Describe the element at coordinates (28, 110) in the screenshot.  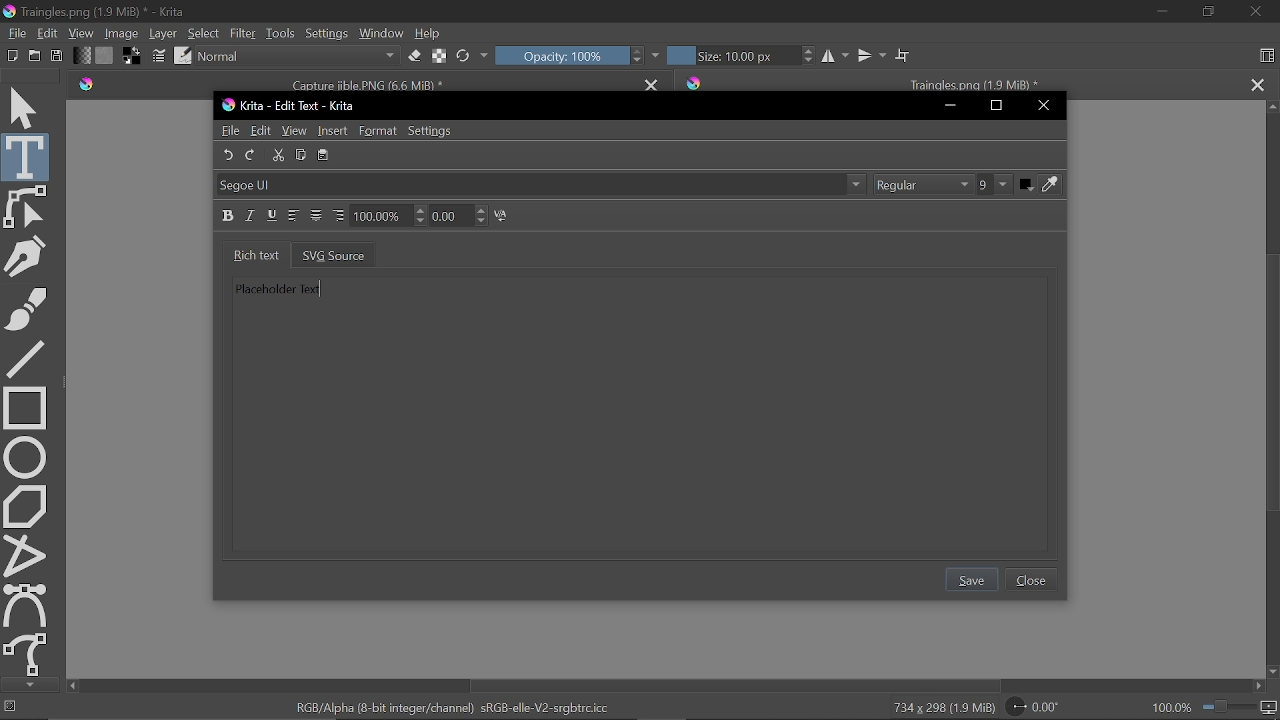
I see `Move tool` at that location.